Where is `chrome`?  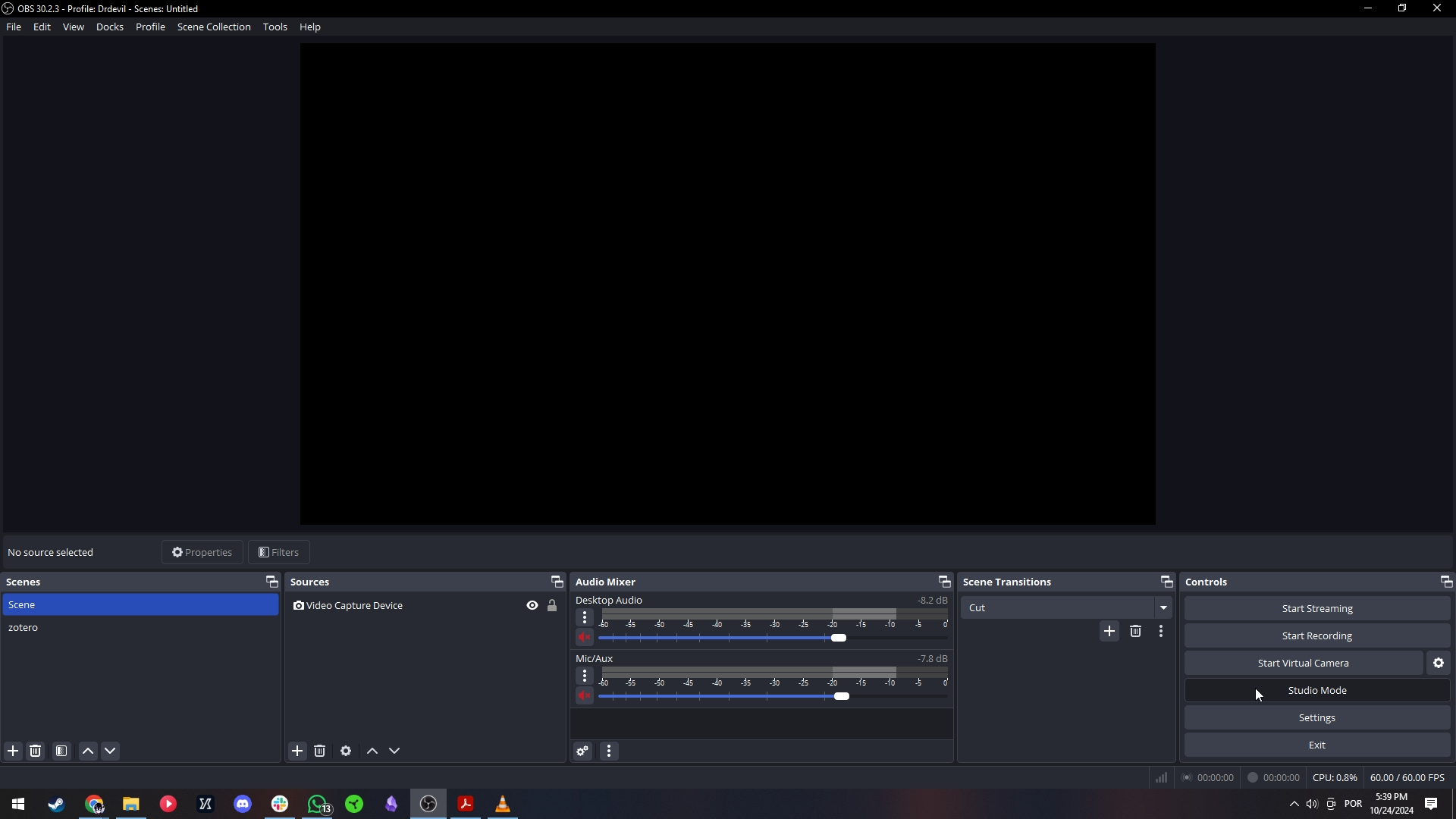 chrome is located at coordinates (95, 804).